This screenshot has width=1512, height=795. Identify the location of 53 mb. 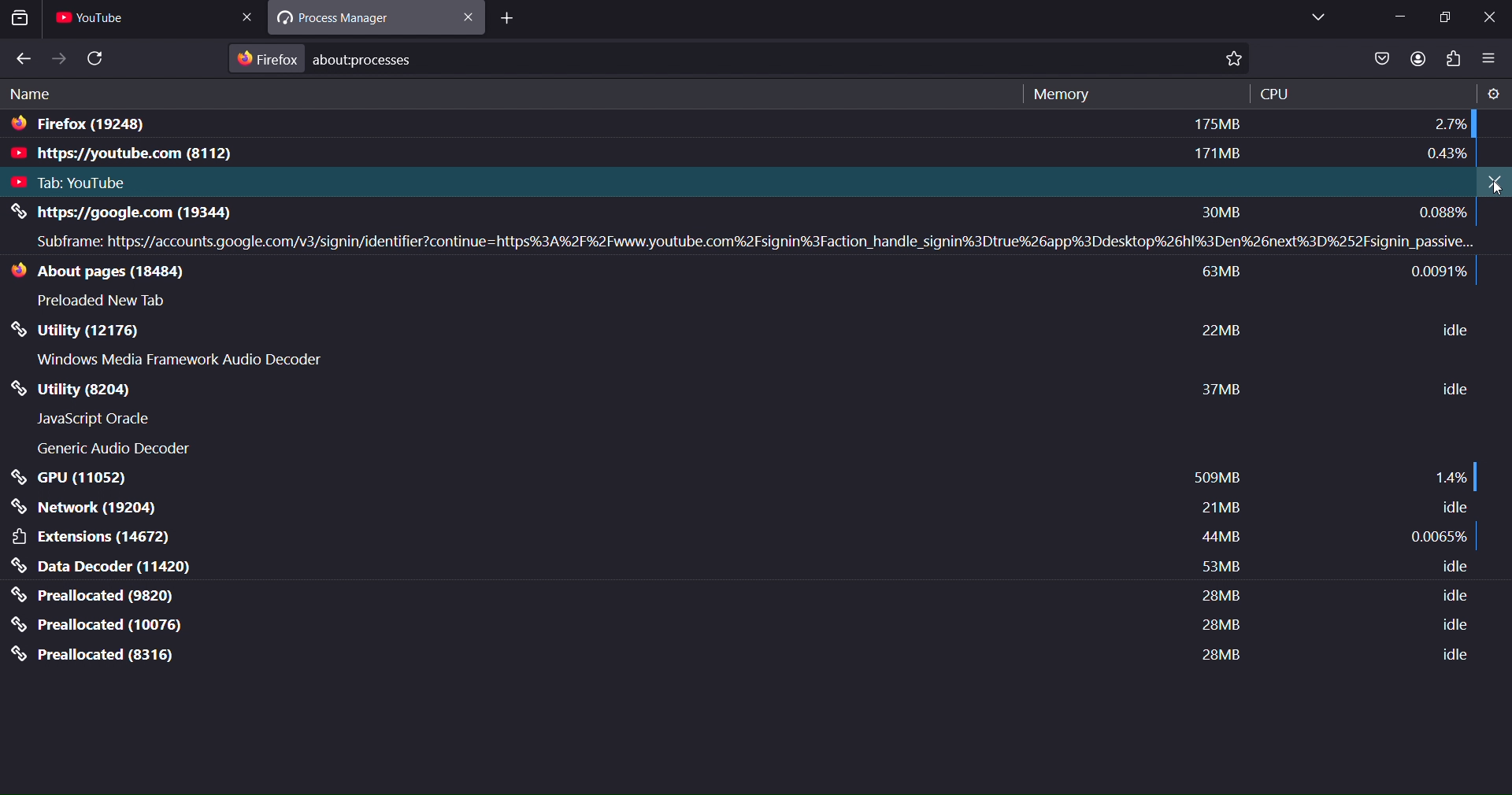
(1217, 566).